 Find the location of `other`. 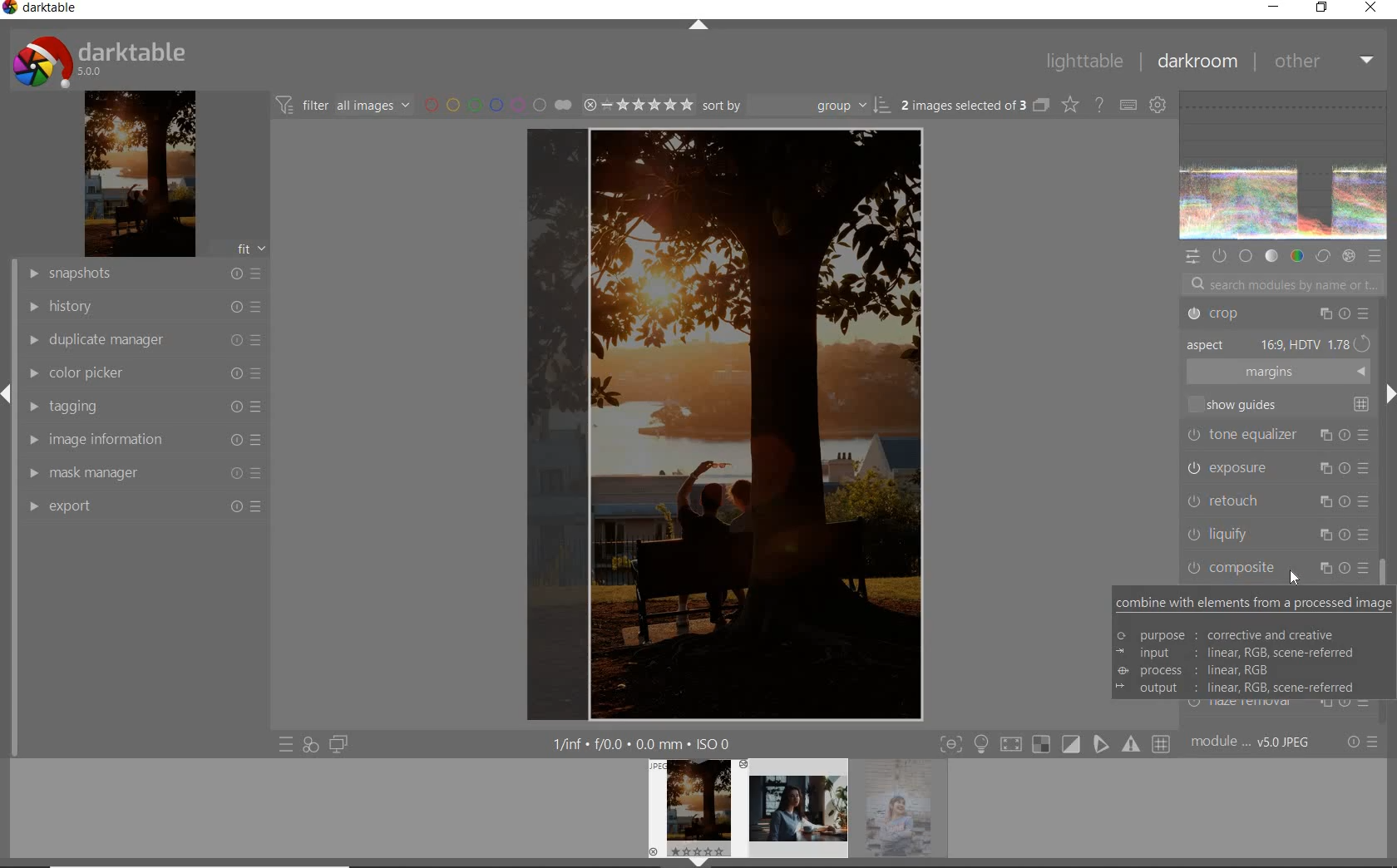

other is located at coordinates (1323, 62).